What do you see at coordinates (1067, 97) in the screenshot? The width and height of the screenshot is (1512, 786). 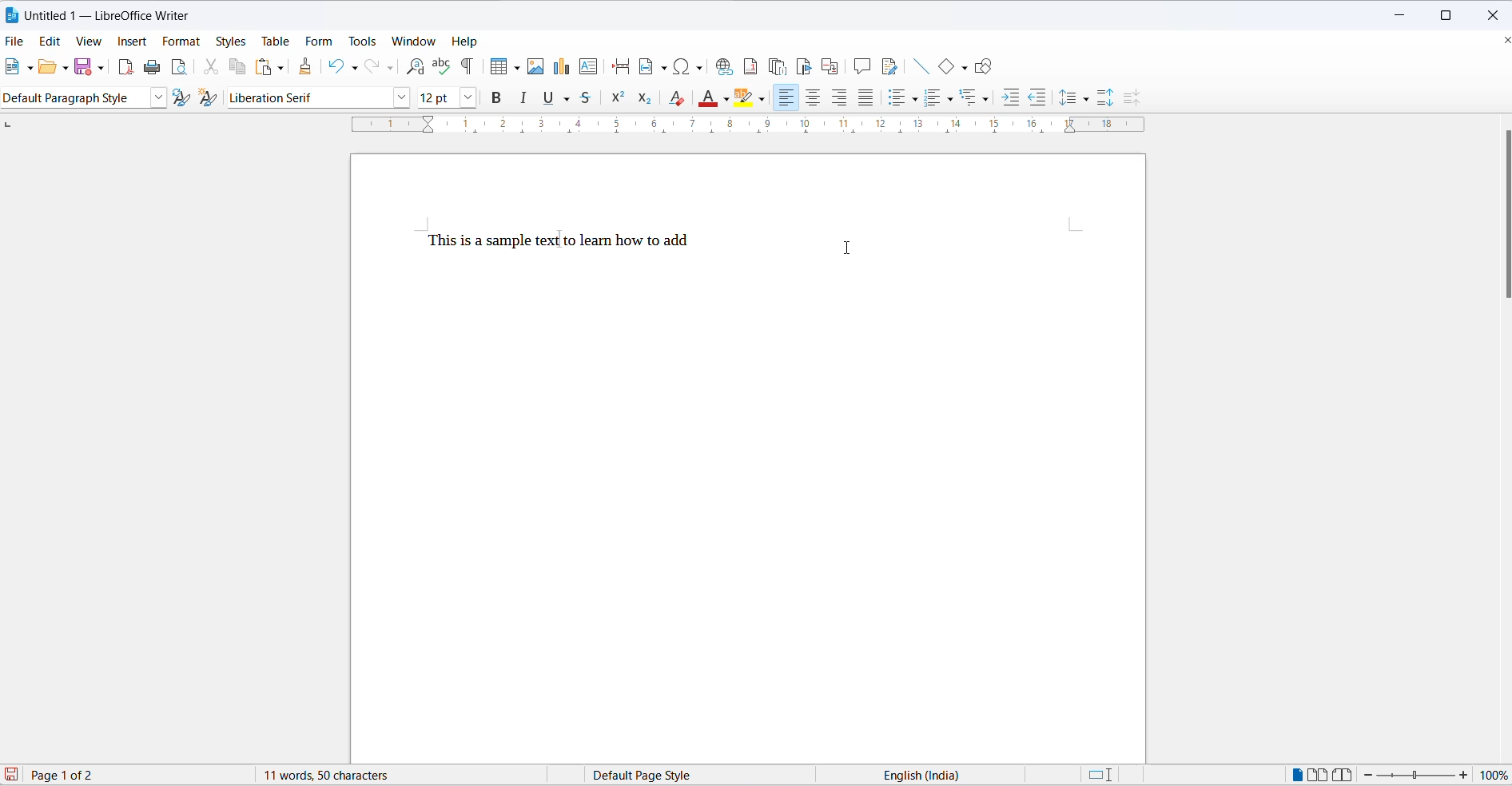 I see `line spacing` at bounding box center [1067, 97].